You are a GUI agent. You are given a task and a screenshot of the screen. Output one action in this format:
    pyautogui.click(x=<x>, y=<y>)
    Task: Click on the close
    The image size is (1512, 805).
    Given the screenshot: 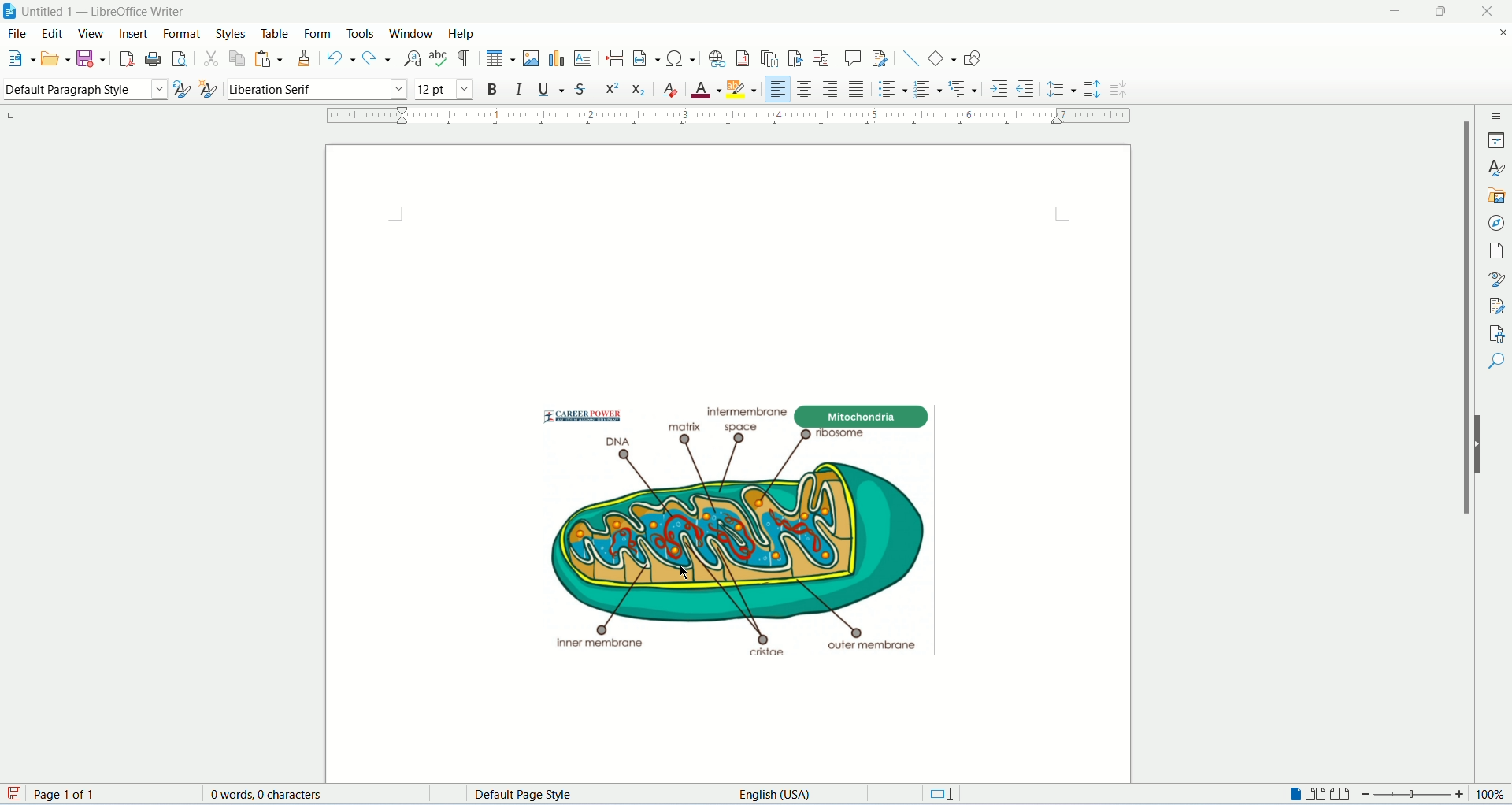 What is the action you would take?
    pyautogui.click(x=1488, y=12)
    